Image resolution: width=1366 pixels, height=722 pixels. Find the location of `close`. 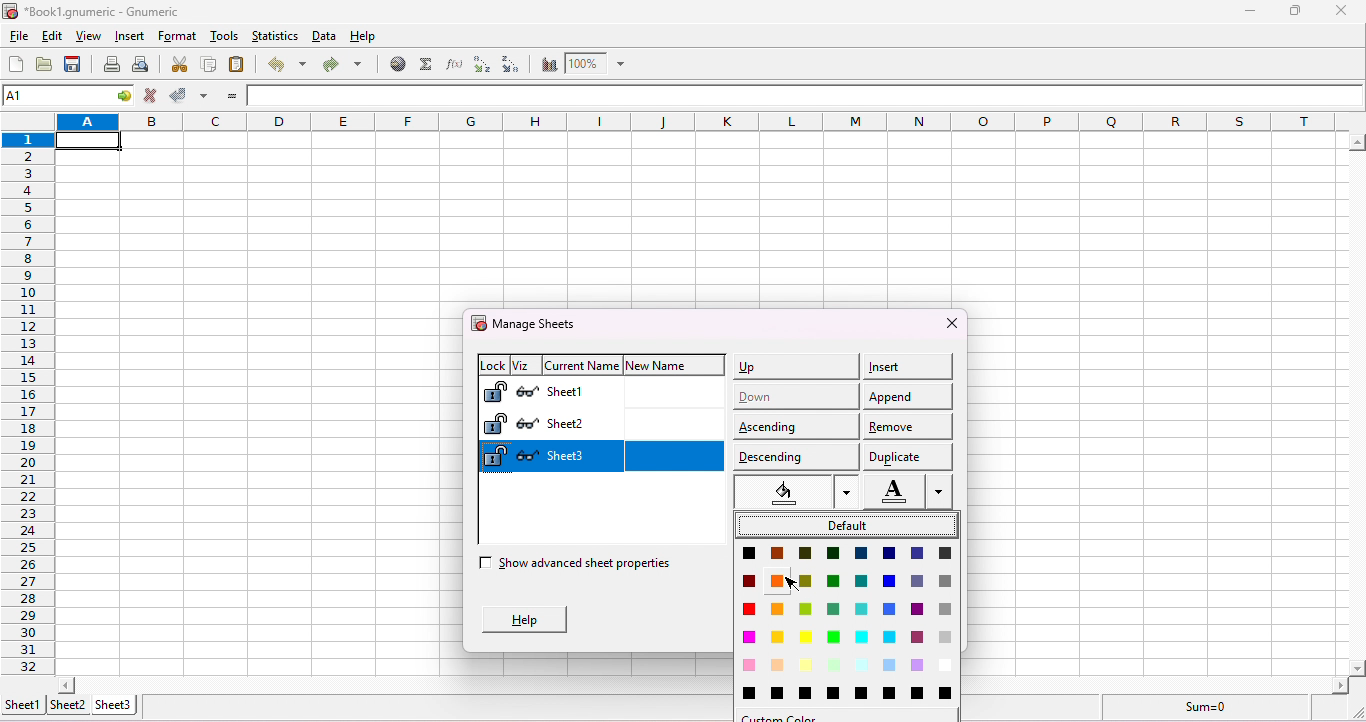

close is located at coordinates (934, 324).